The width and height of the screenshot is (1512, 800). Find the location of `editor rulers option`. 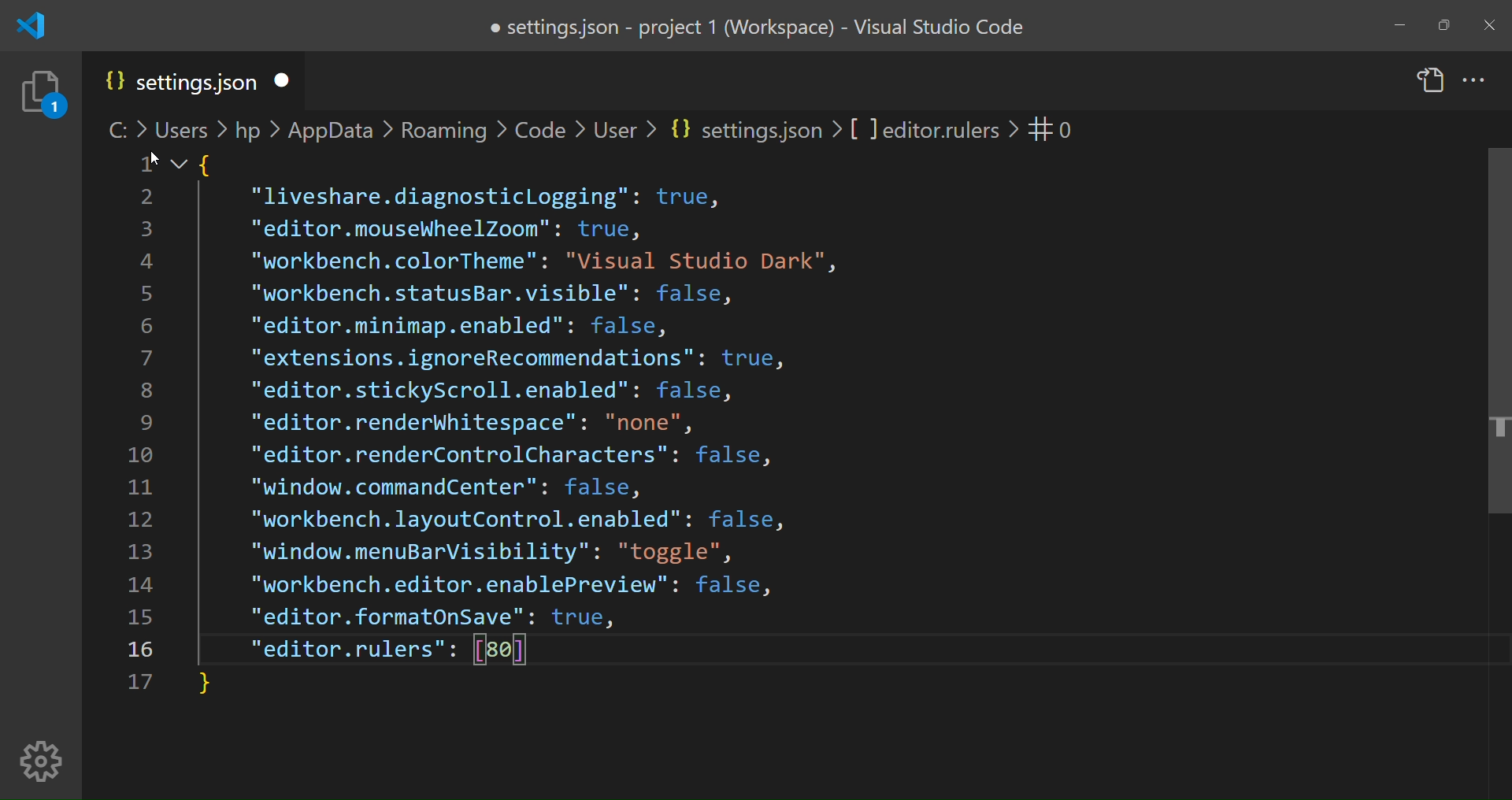

editor rulers option is located at coordinates (347, 650).